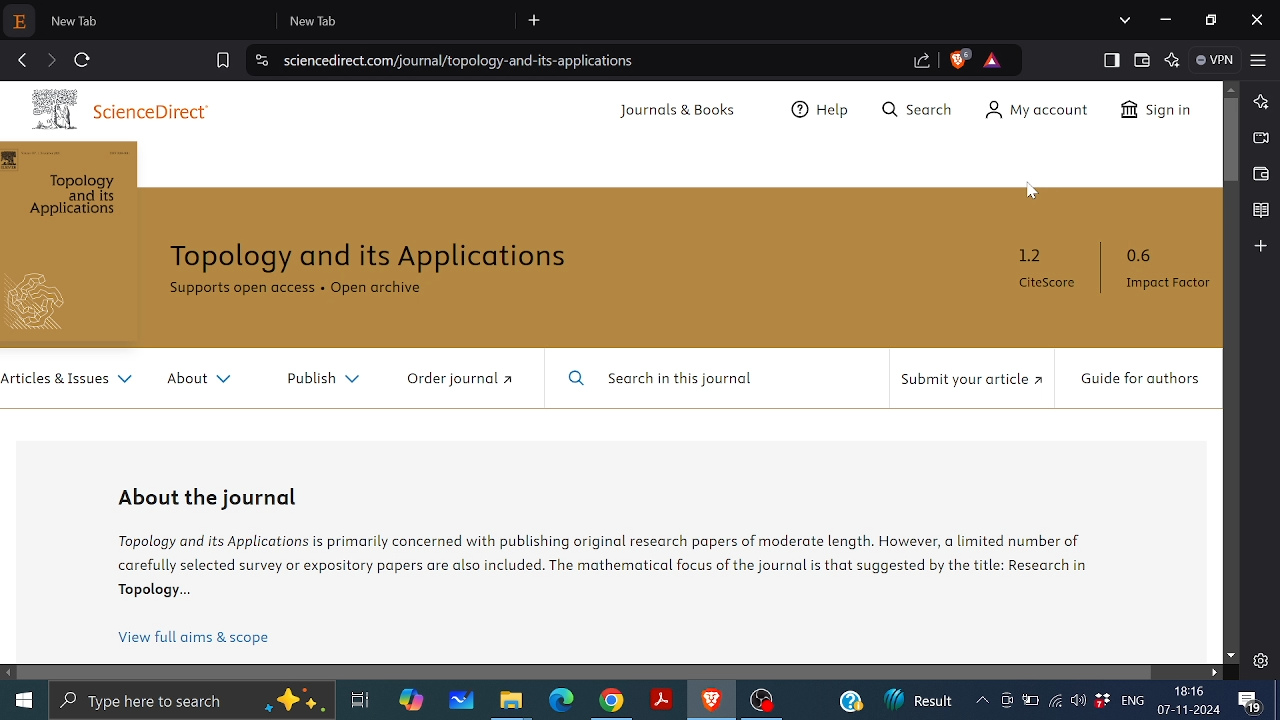  What do you see at coordinates (1133, 701) in the screenshot?
I see `` at bounding box center [1133, 701].